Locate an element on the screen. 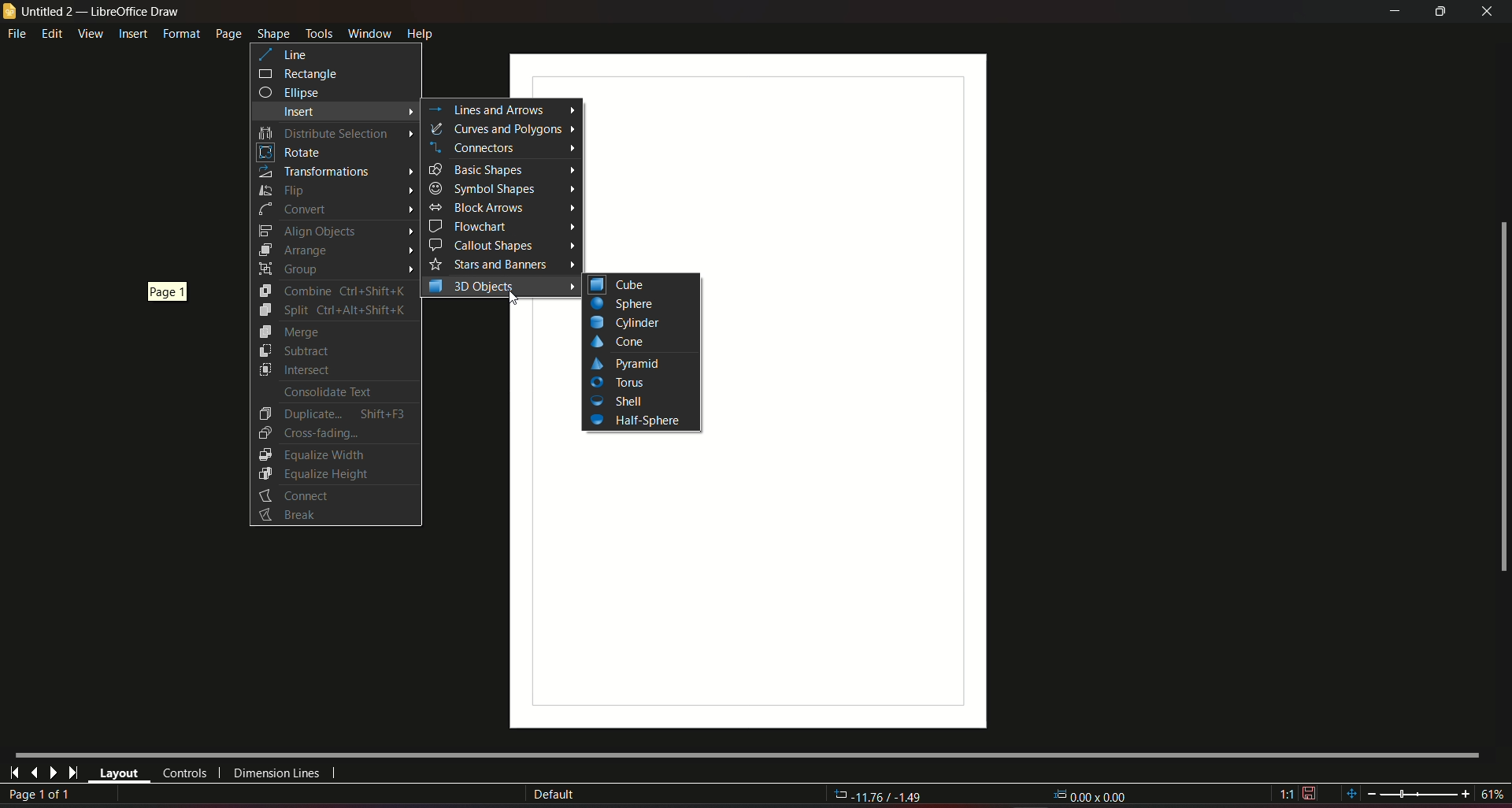  -11.76/-1.49 is located at coordinates (880, 797).